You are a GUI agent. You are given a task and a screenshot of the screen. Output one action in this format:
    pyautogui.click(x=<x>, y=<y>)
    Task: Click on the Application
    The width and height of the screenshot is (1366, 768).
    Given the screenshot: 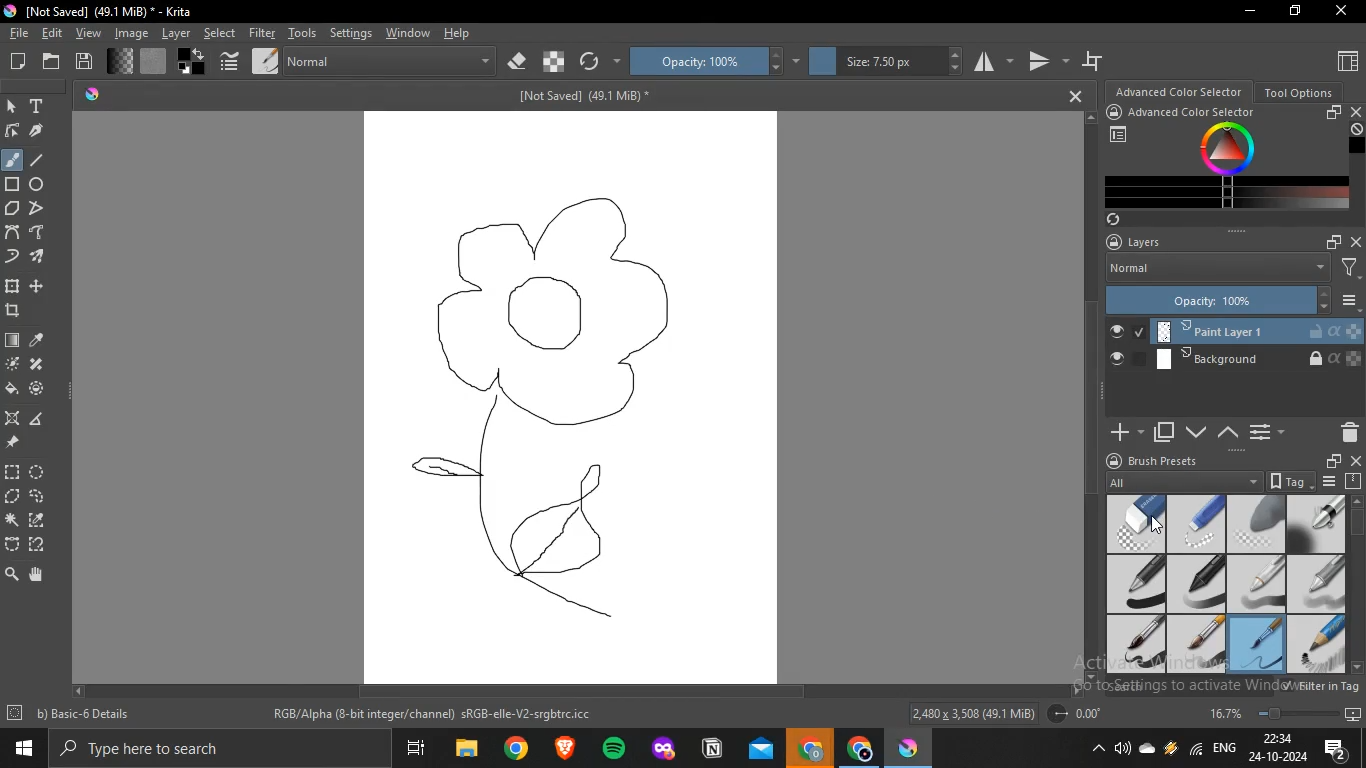 What is the action you would take?
    pyautogui.click(x=713, y=748)
    